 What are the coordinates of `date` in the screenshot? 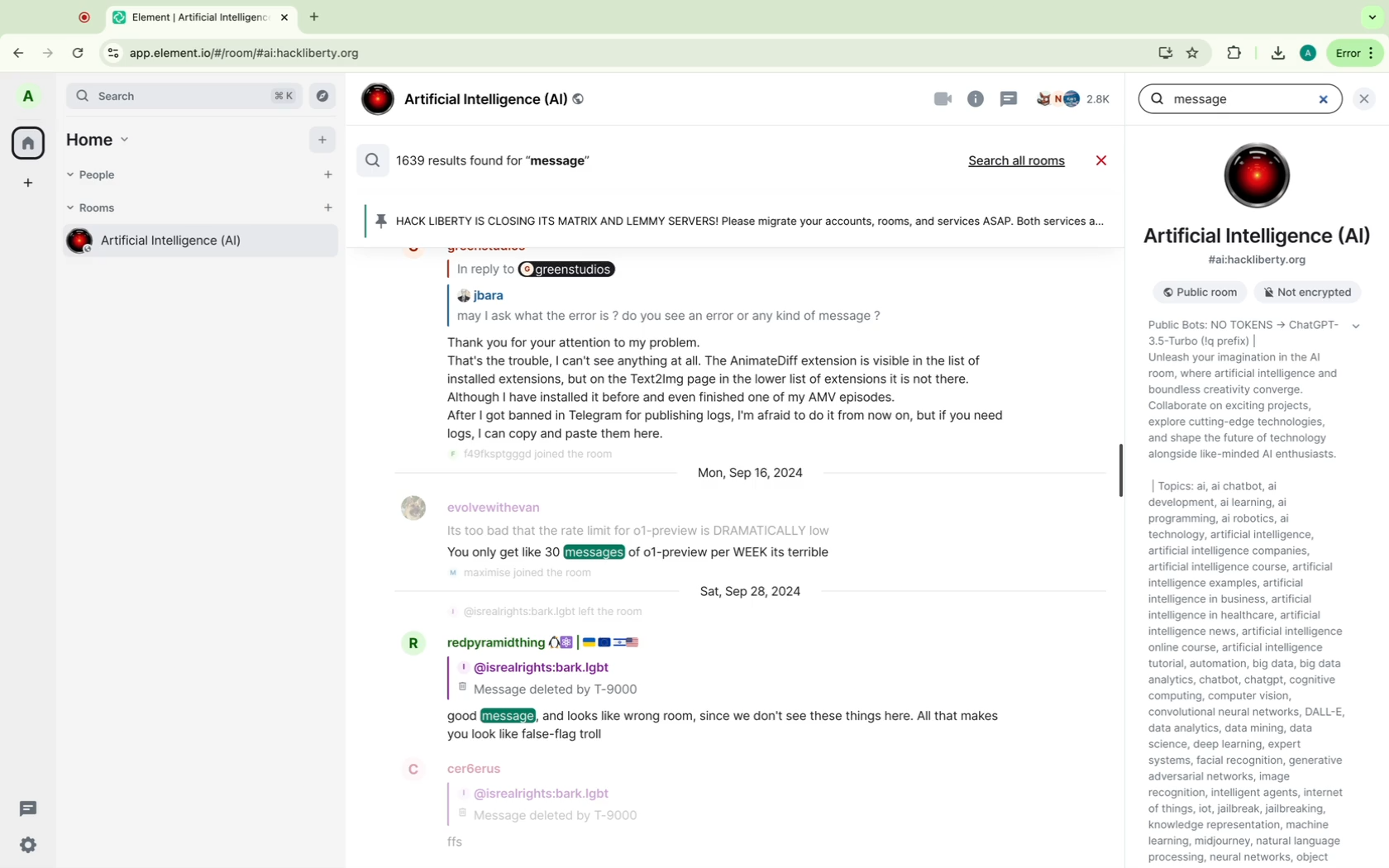 It's located at (754, 590).